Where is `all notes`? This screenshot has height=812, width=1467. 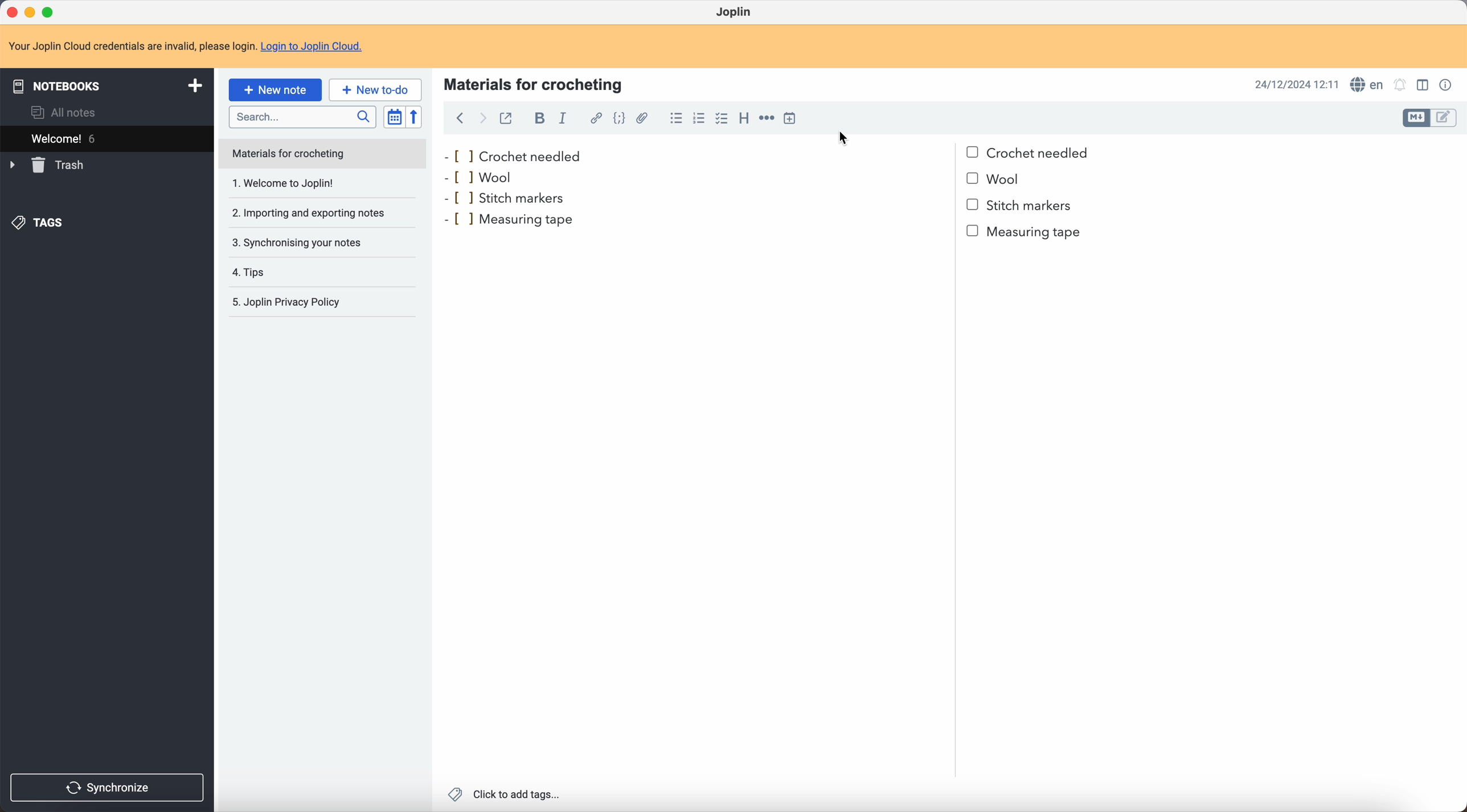 all notes is located at coordinates (67, 112).